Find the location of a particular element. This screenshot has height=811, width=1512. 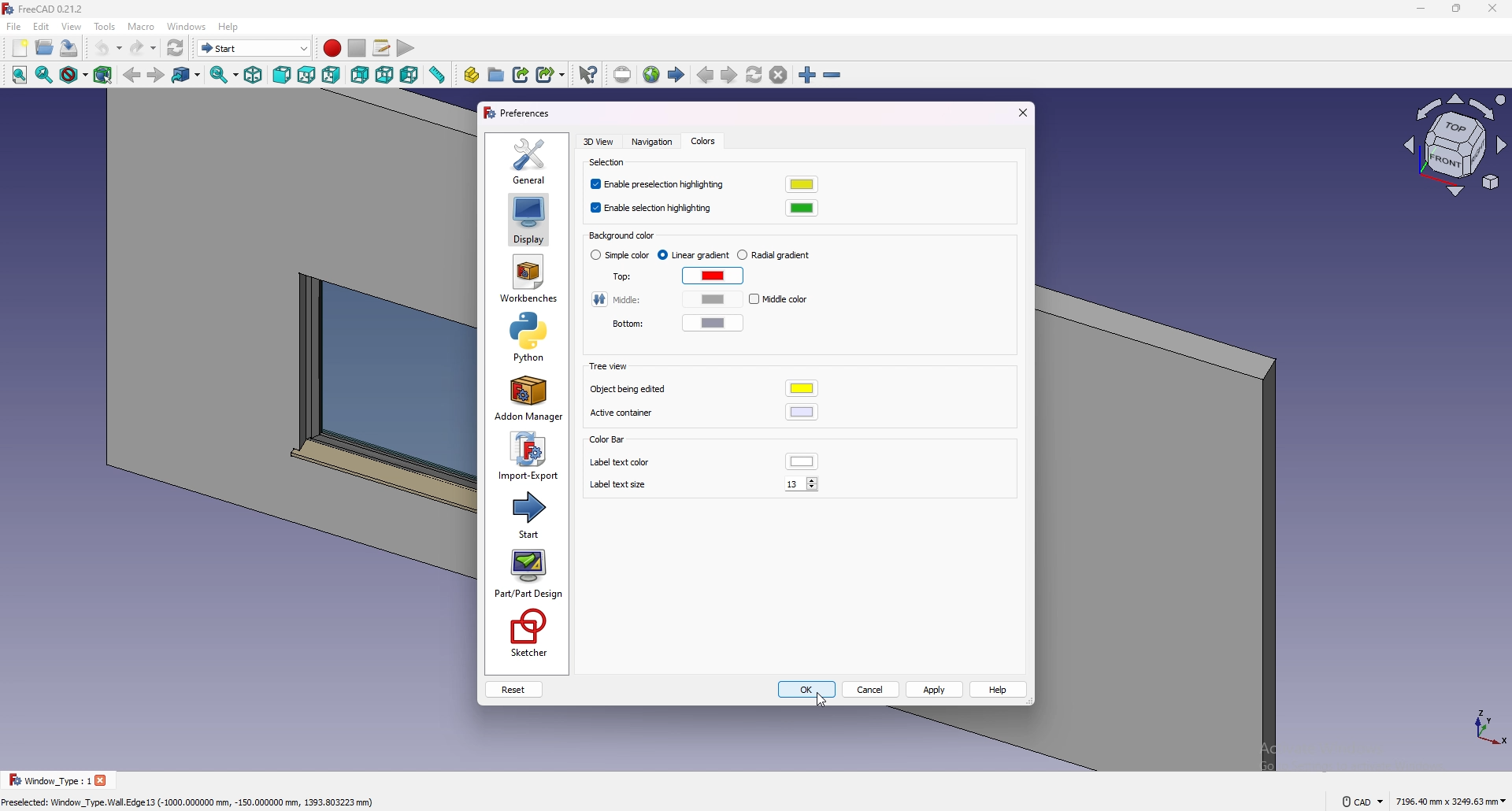

selection is located at coordinates (610, 163).